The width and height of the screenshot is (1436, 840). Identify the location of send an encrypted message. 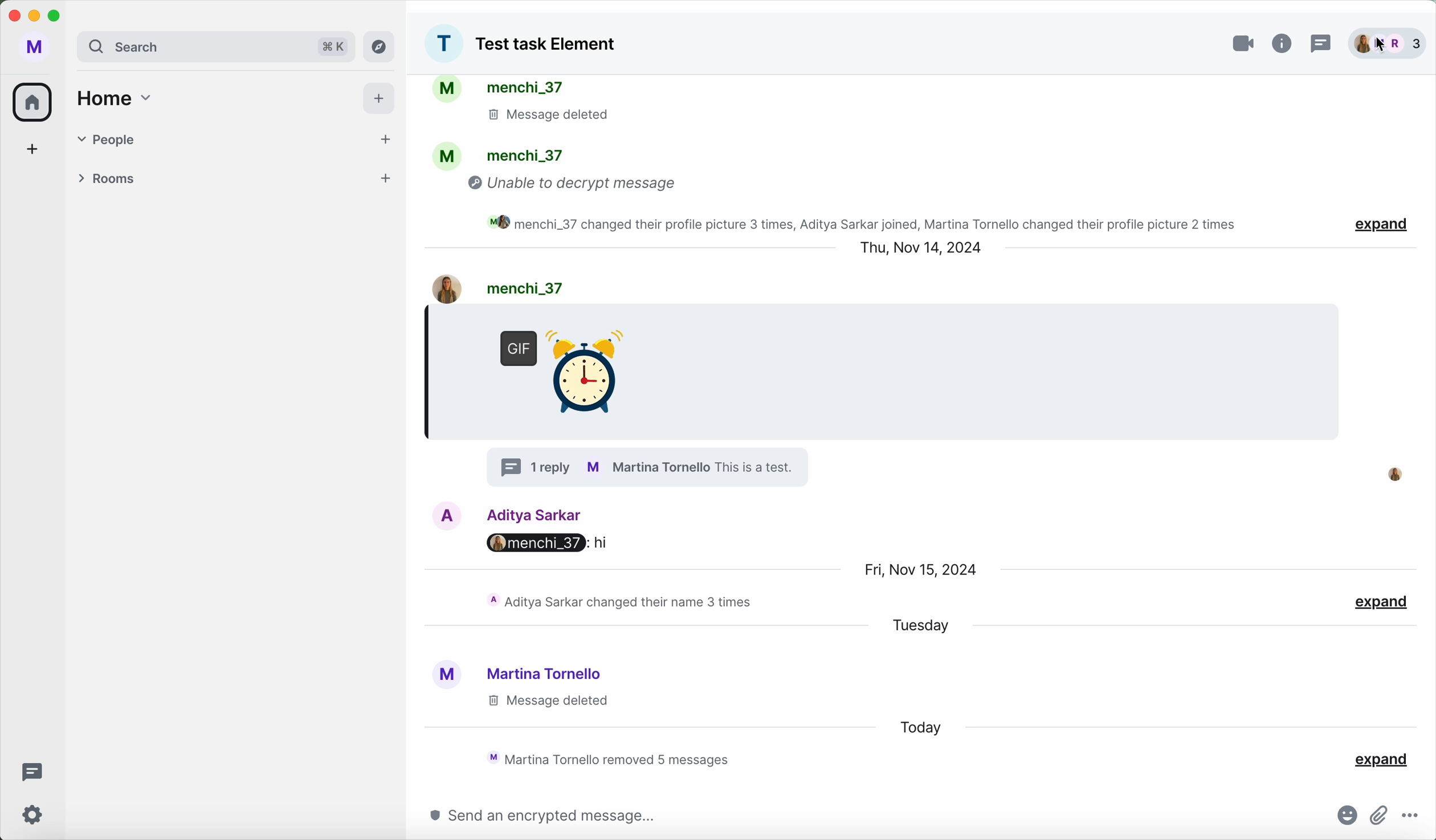
(534, 816).